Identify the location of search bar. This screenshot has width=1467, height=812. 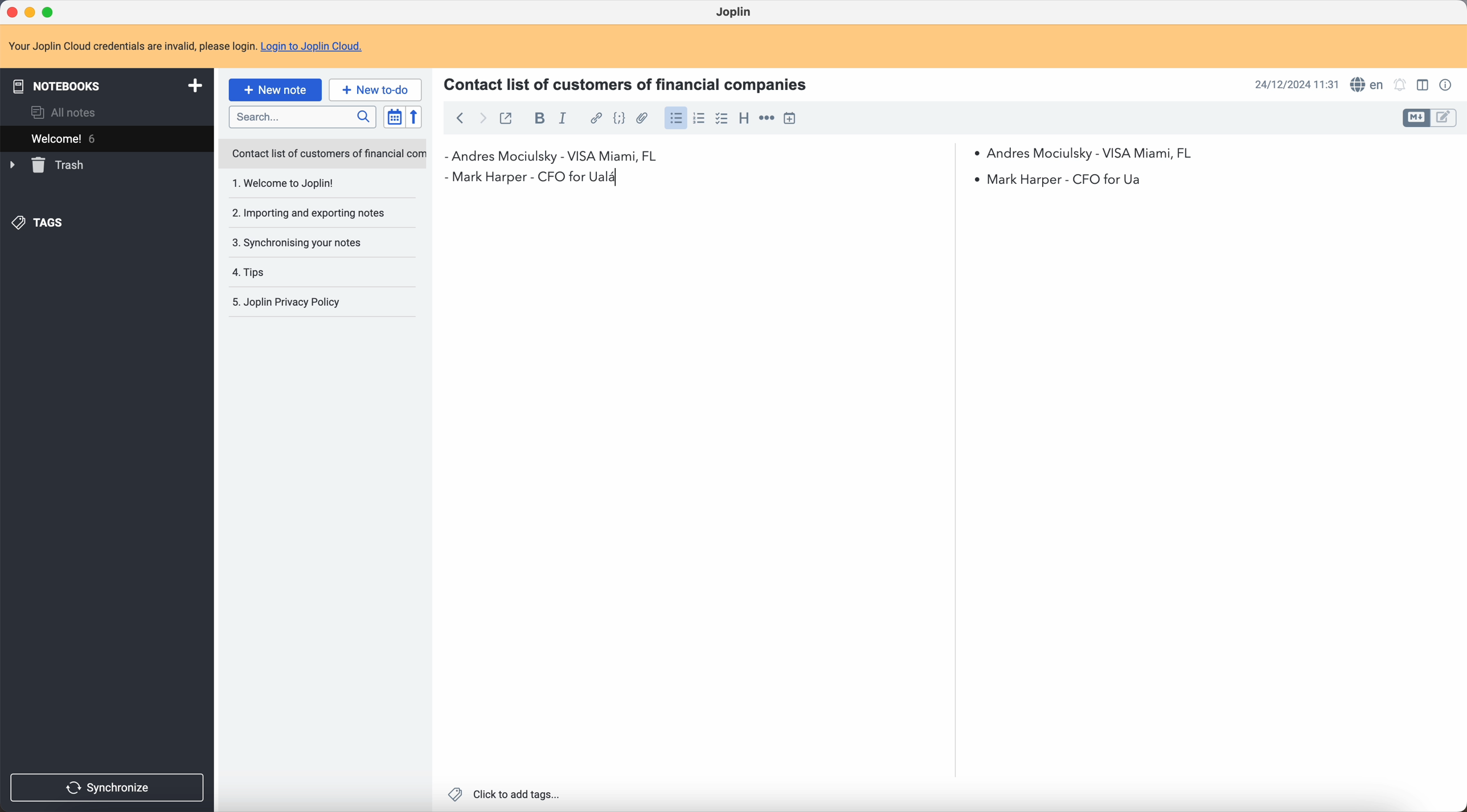
(305, 117).